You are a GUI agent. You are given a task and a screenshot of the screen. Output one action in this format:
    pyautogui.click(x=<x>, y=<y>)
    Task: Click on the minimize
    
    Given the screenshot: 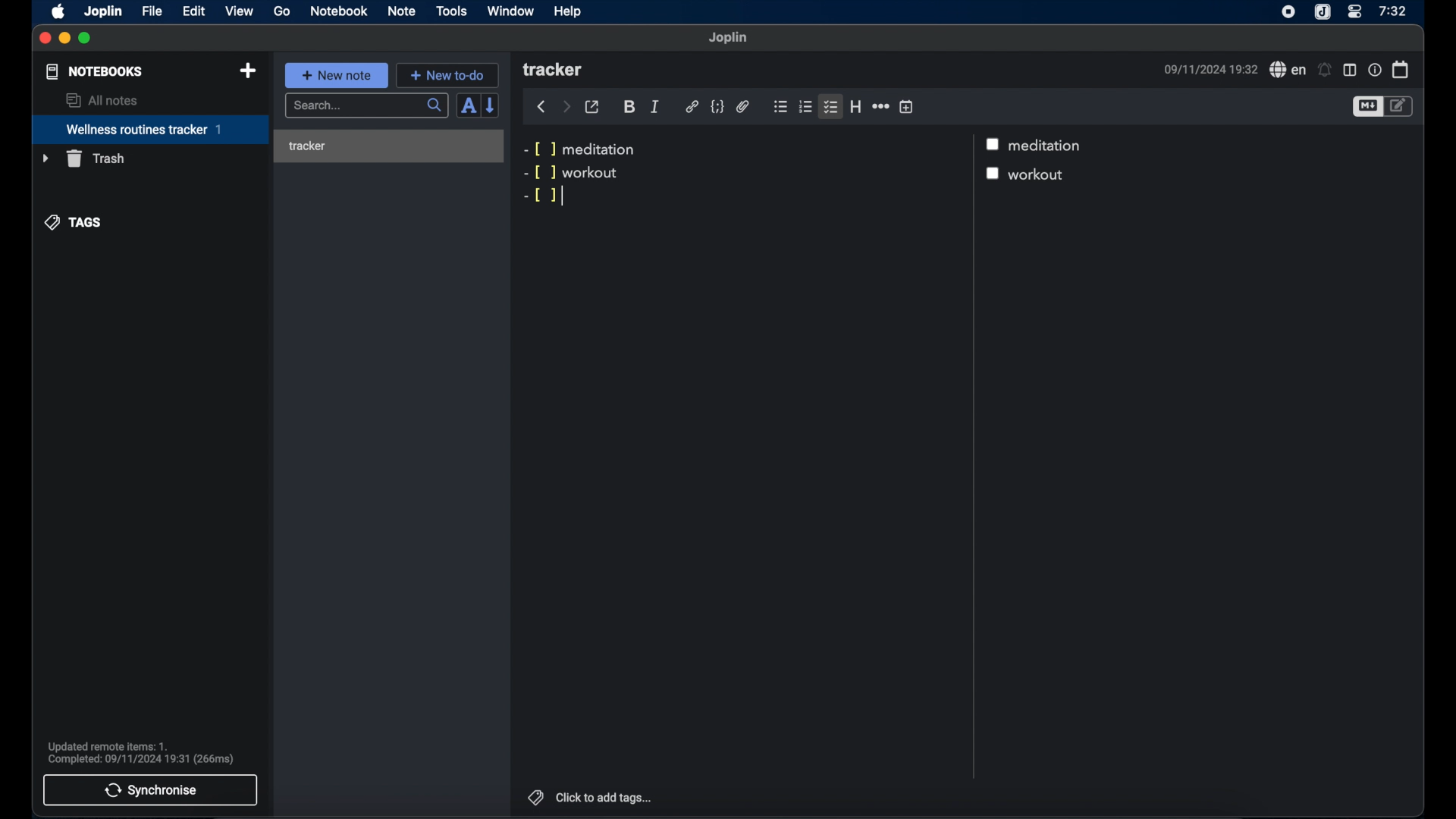 What is the action you would take?
    pyautogui.click(x=65, y=39)
    